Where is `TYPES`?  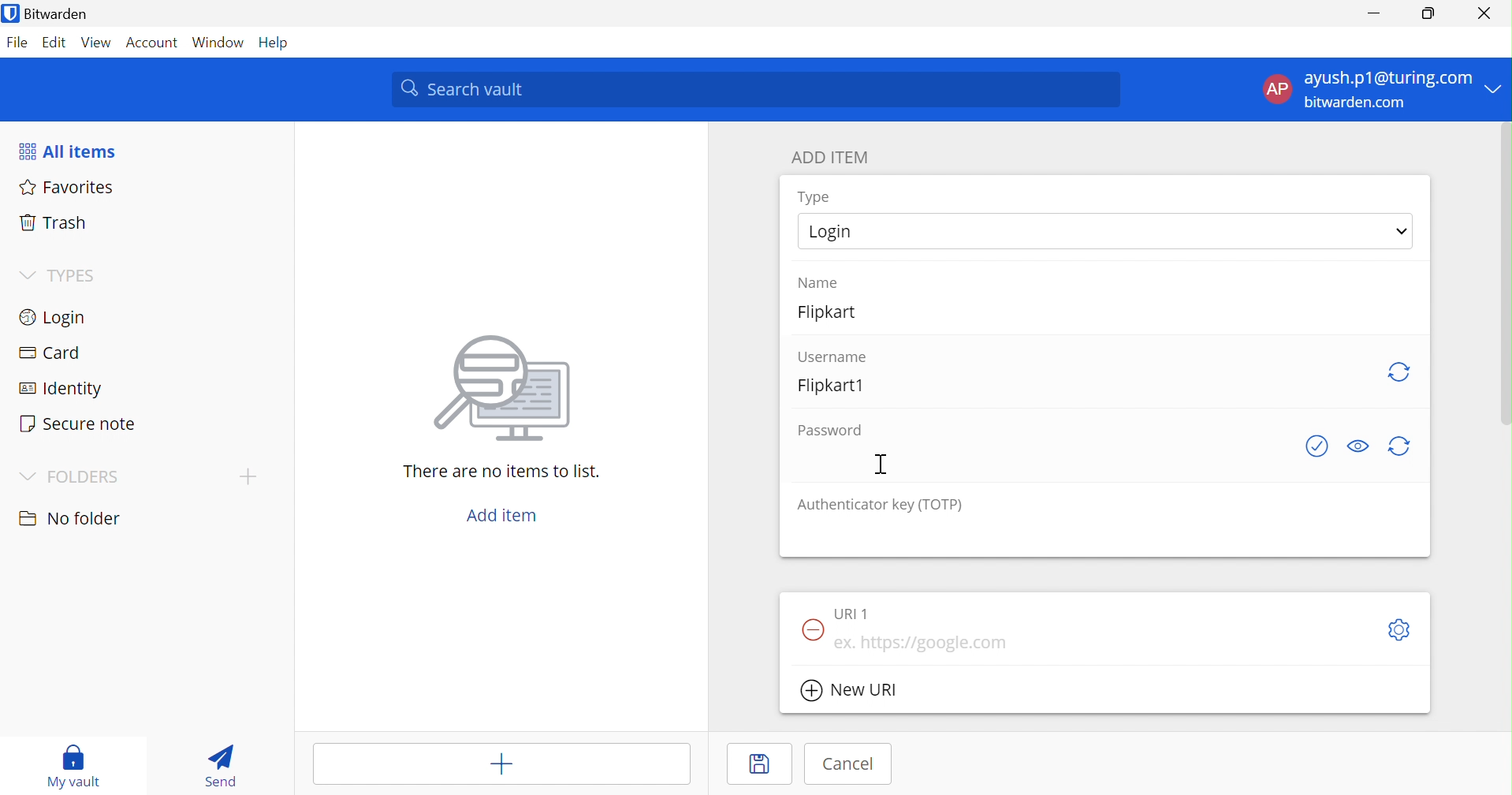
TYPES is located at coordinates (75, 275).